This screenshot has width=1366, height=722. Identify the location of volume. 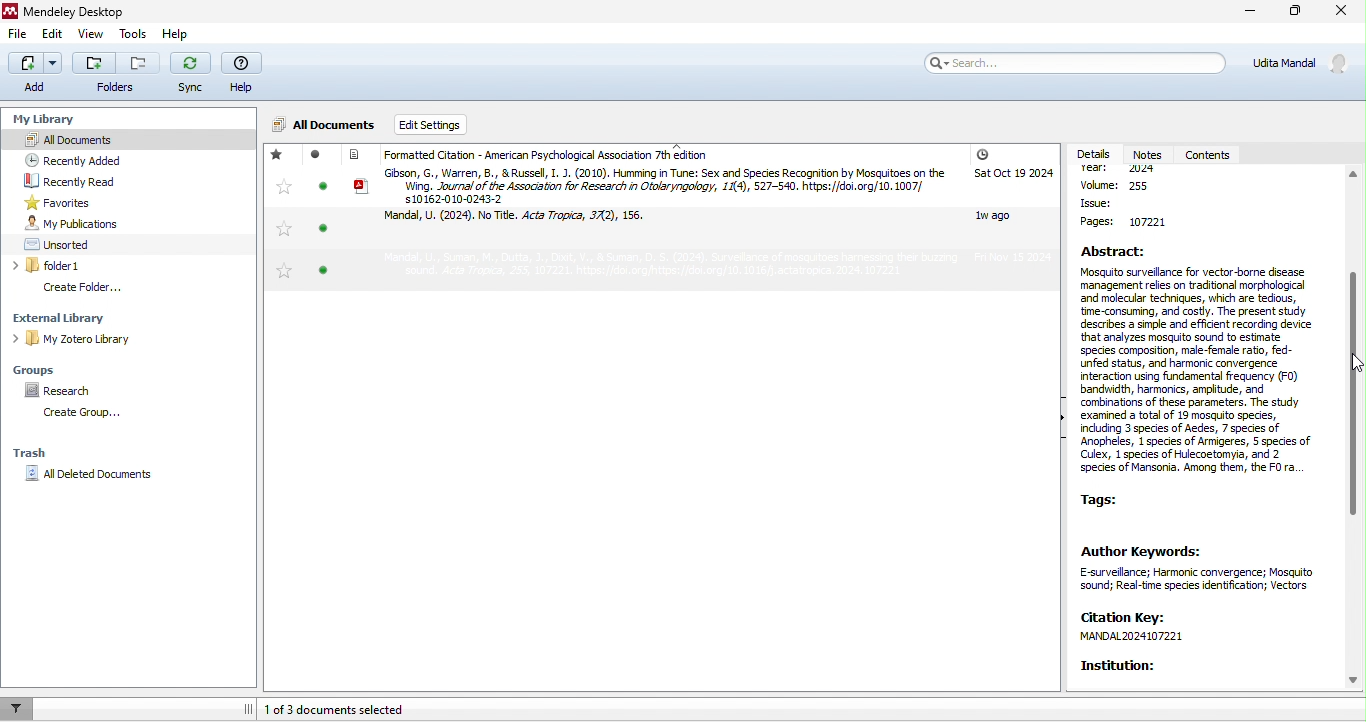
(1132, 187).